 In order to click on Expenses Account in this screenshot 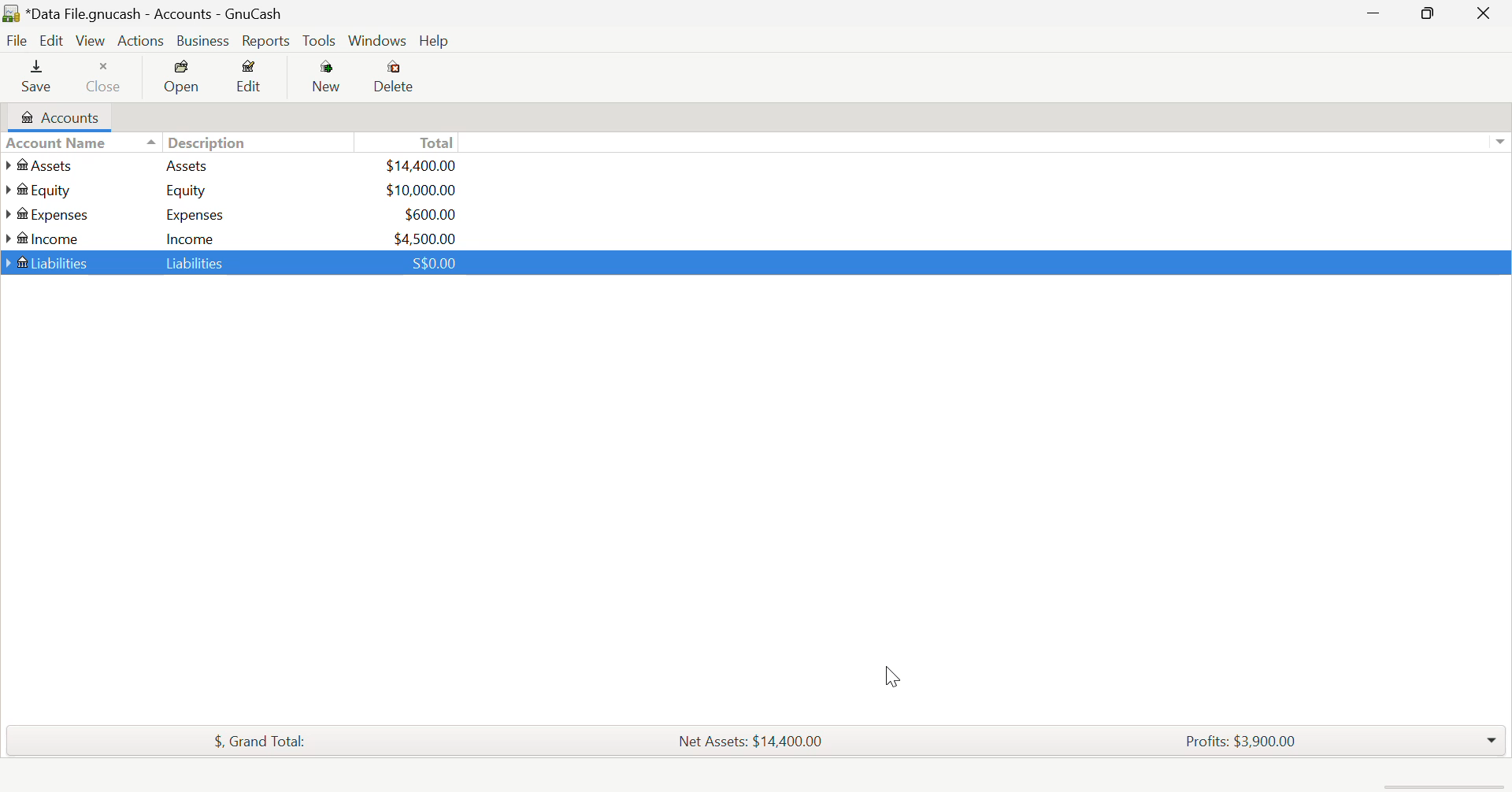, I will do `click(46, 214)`.